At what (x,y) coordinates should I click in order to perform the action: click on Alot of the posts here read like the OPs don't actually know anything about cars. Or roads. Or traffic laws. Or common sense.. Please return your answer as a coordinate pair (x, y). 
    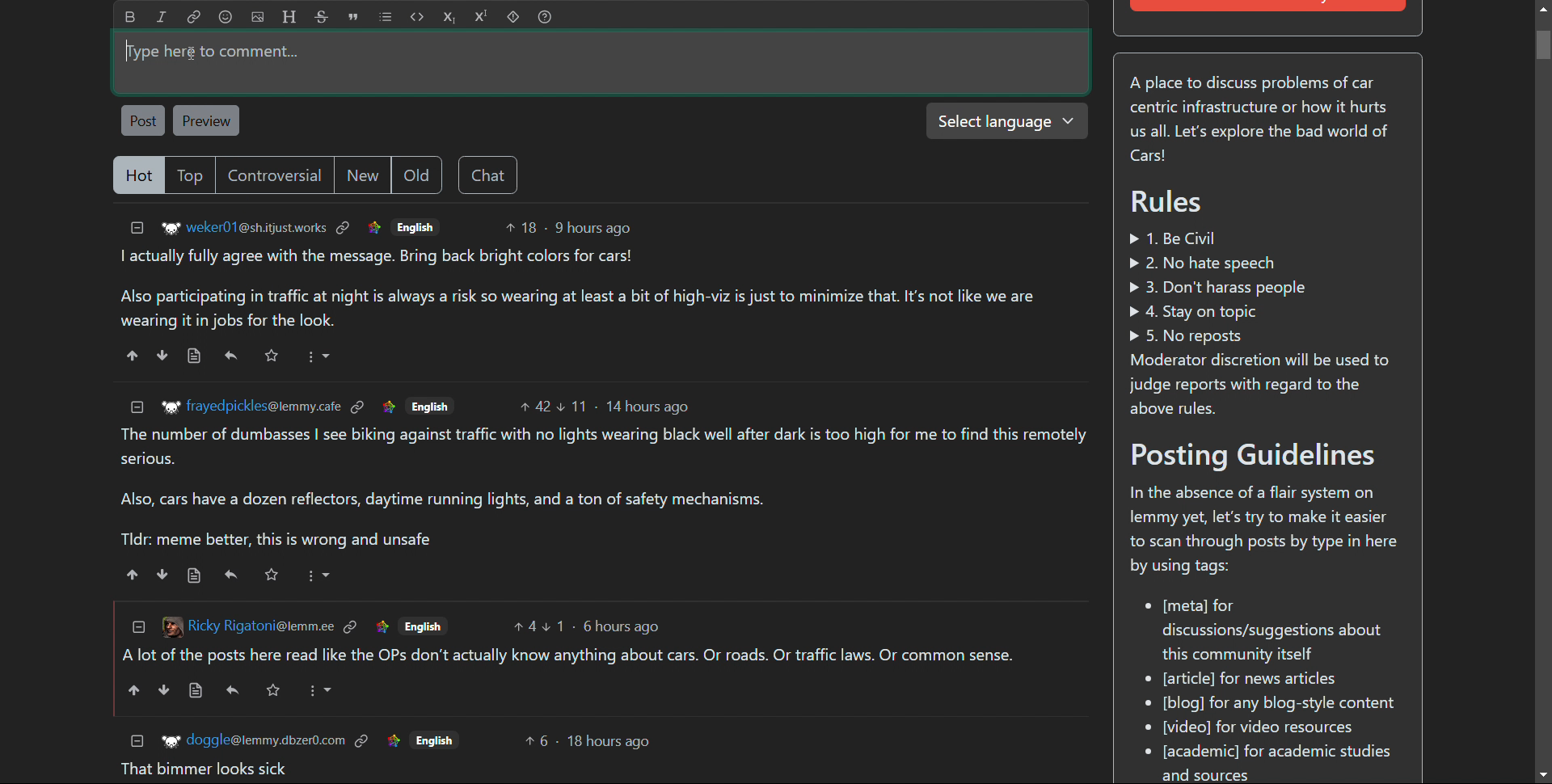
    Looking at the image, I should click on (571, 657).